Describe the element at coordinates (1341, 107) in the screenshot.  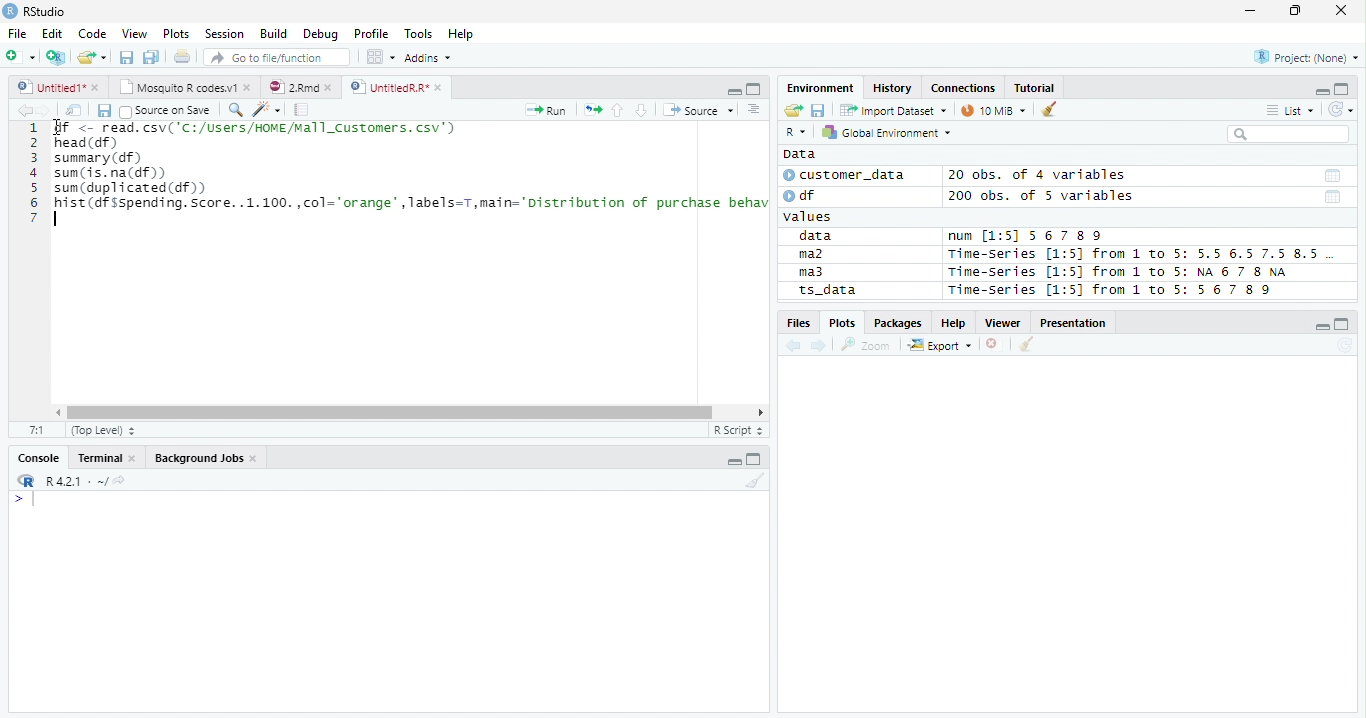
I see `Refresh` at that location.